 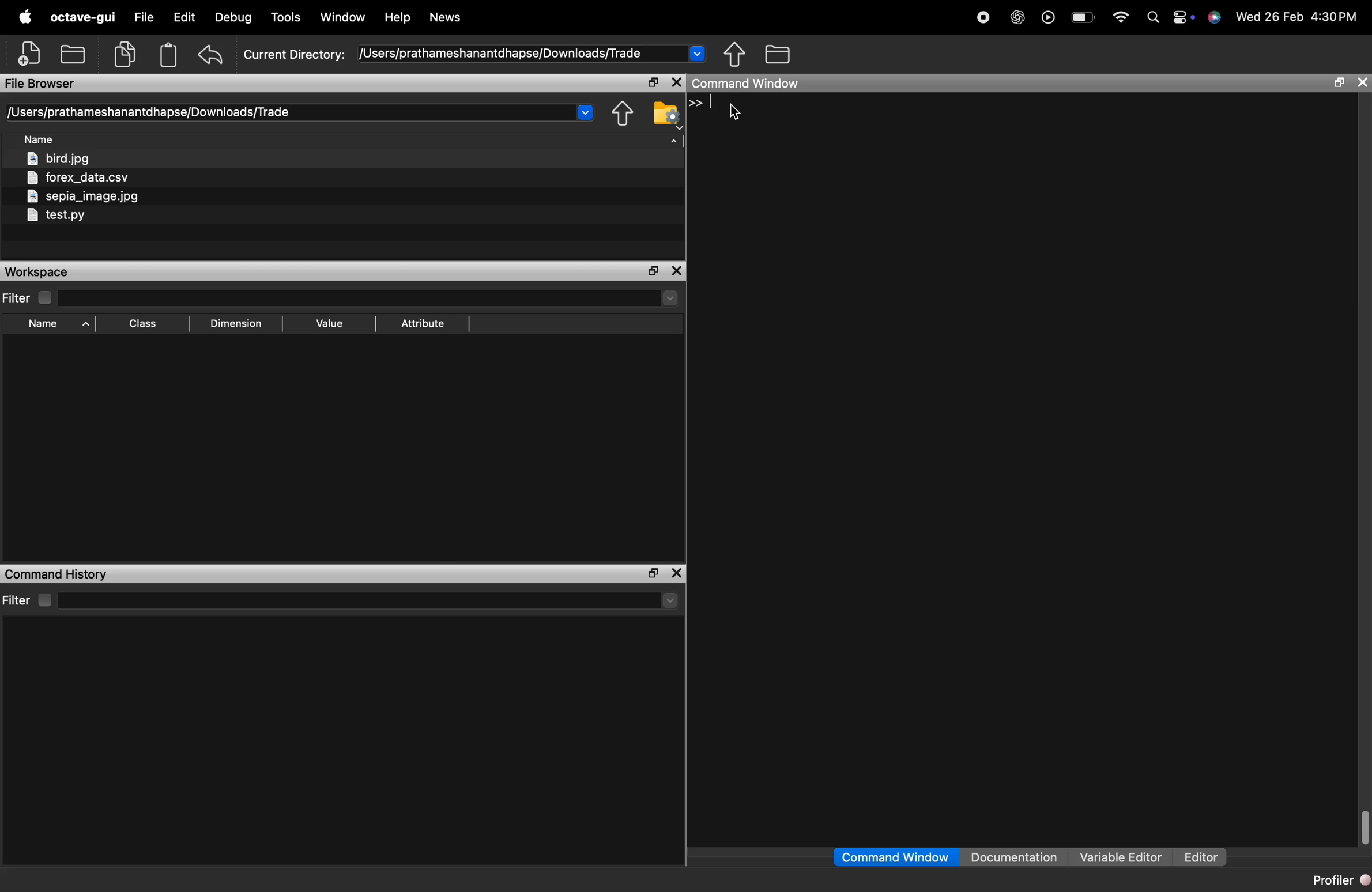 I want to click on close, so click(x=677, y=82).